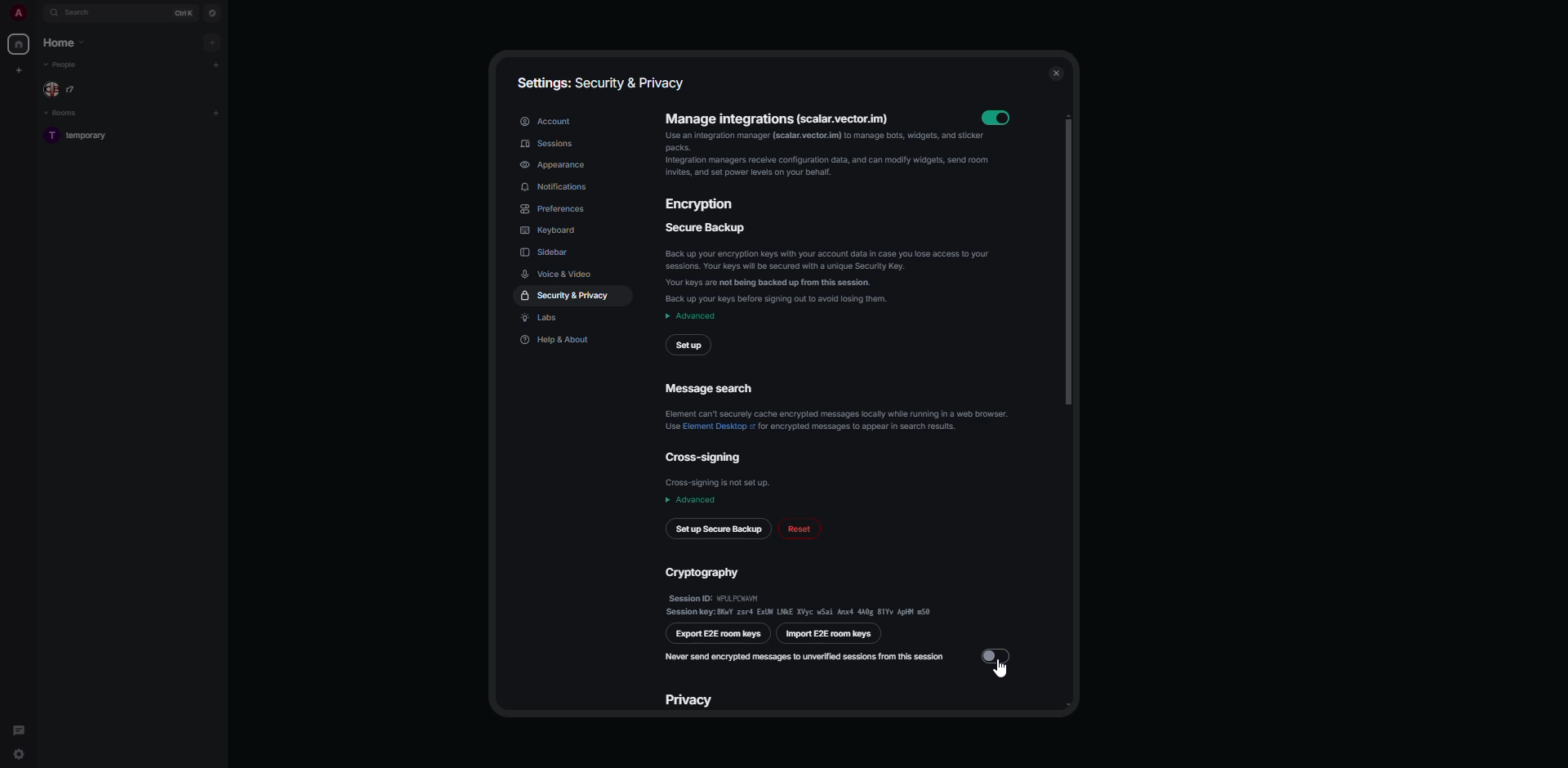 This screenshot has height=768, width=1568. I want to click on threads, so click(18, 726).